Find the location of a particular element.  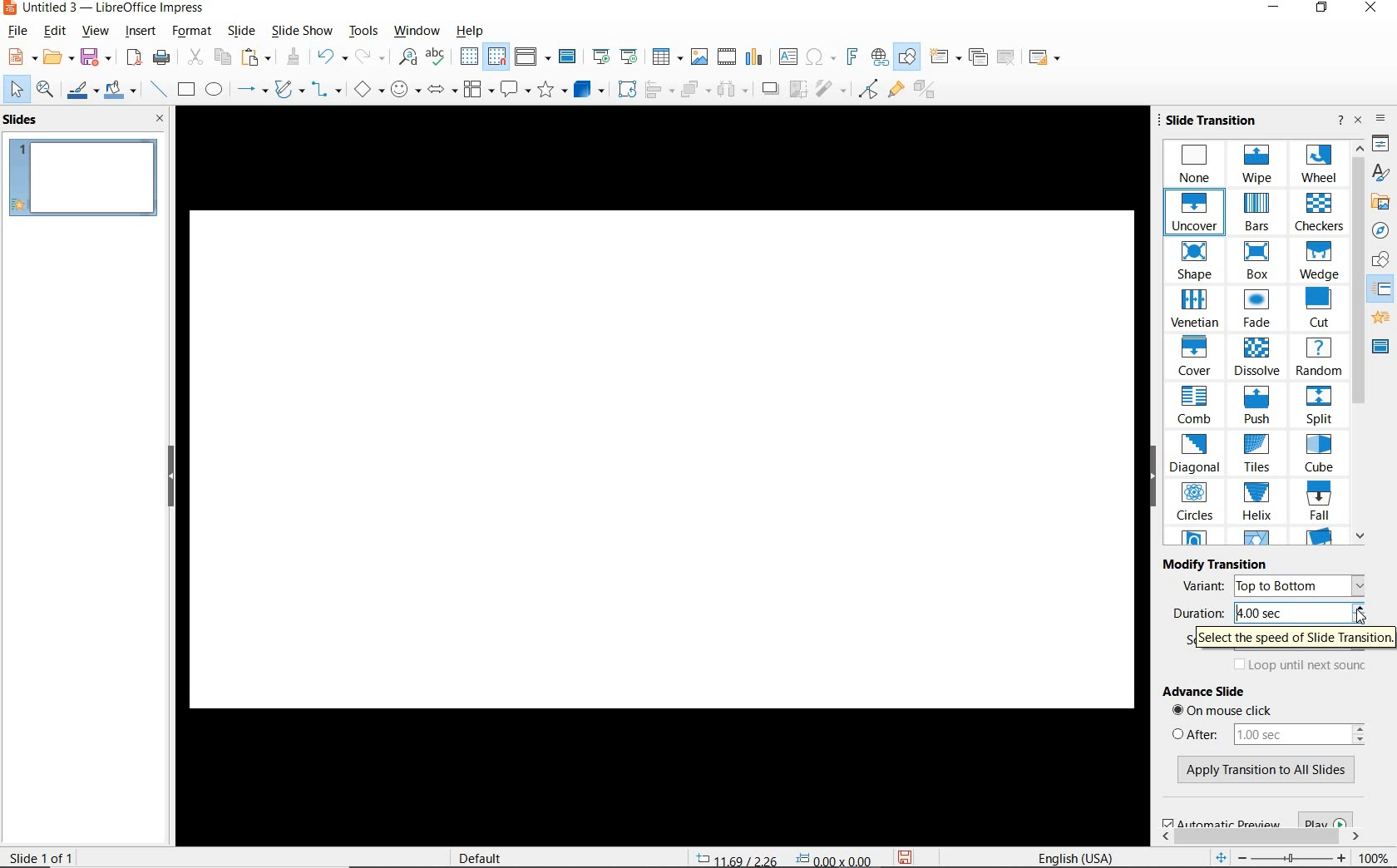

NAVIGATOR is located at coordinates (1380, 230).